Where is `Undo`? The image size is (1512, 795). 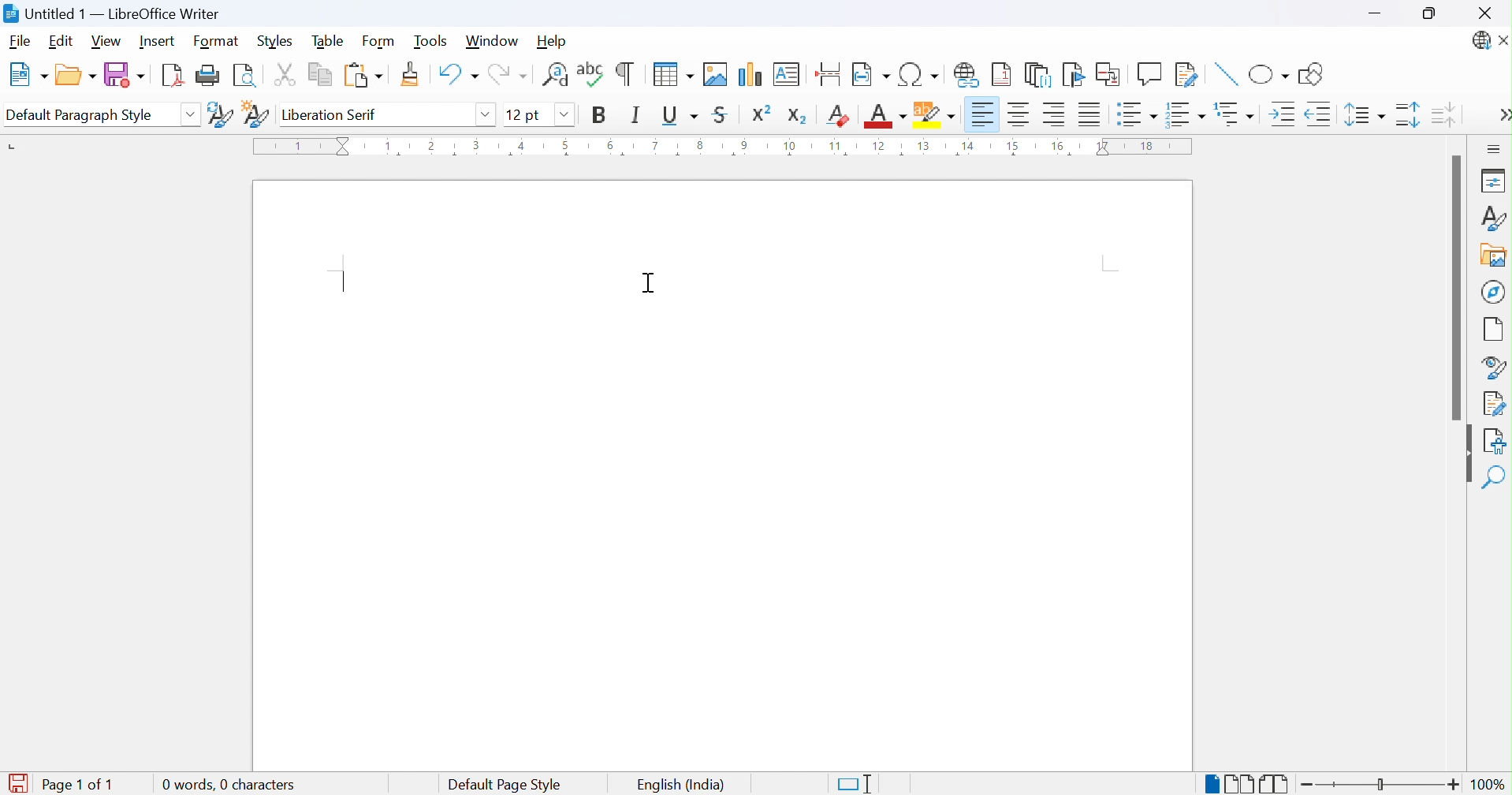 Undo is located at coordinates (456, 74).